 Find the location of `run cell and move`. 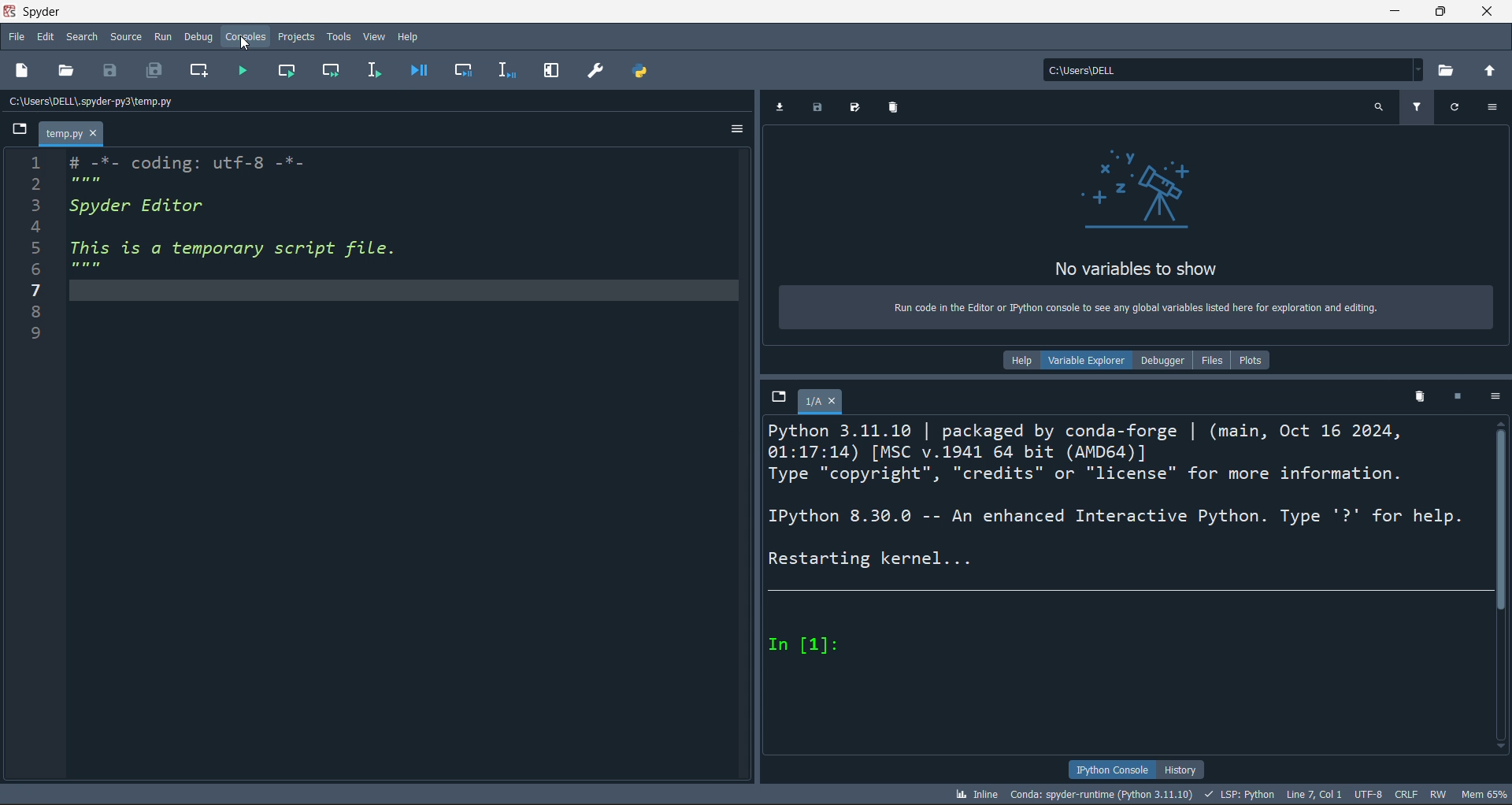

run cell and move is located at coordinates (329, 70).